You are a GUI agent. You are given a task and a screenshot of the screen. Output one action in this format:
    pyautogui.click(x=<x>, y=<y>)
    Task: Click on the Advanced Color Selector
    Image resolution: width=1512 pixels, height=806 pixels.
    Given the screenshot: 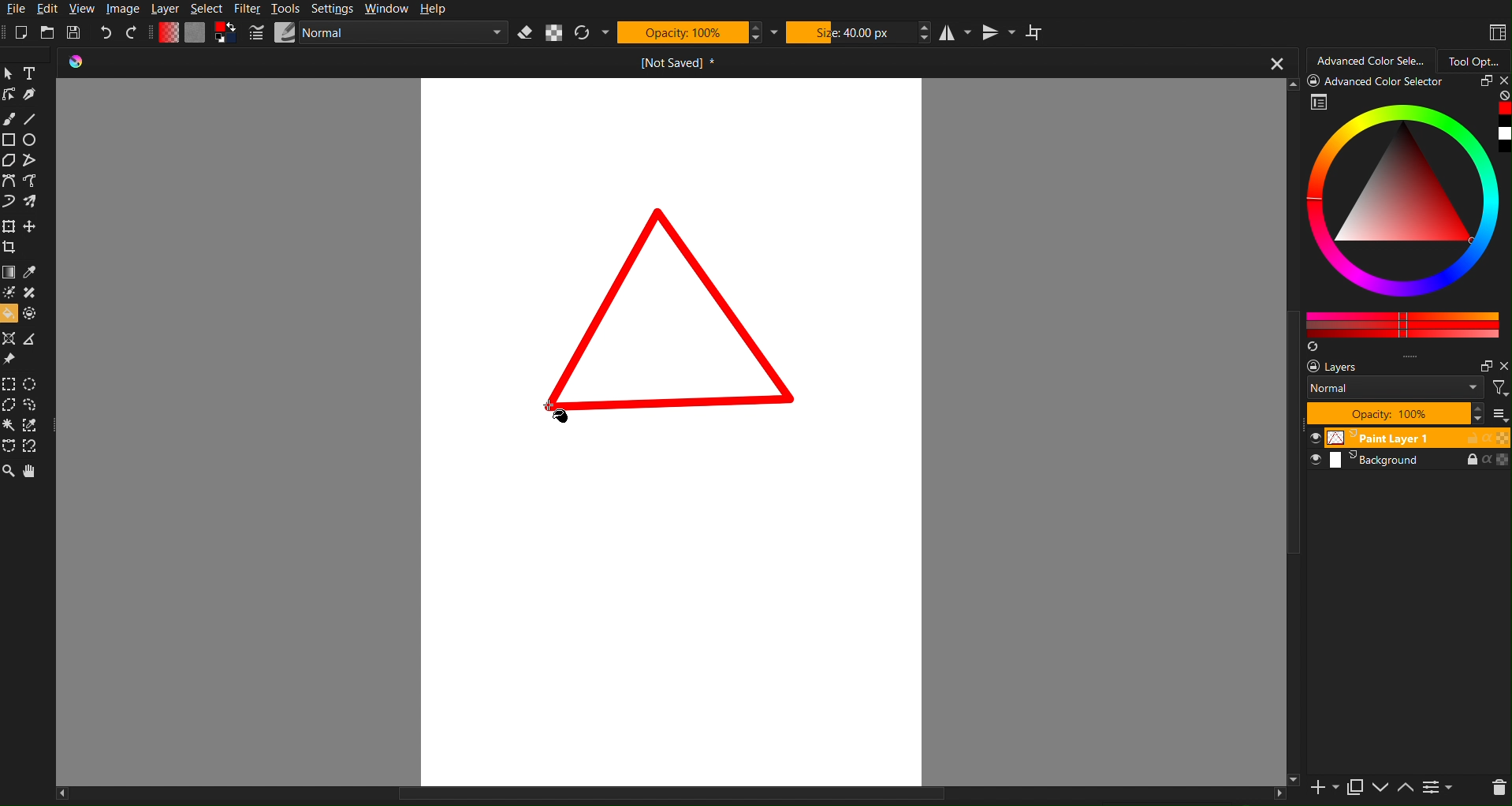 What is the action you would take?
    pyautogui.click(x=1380, y=82)
    